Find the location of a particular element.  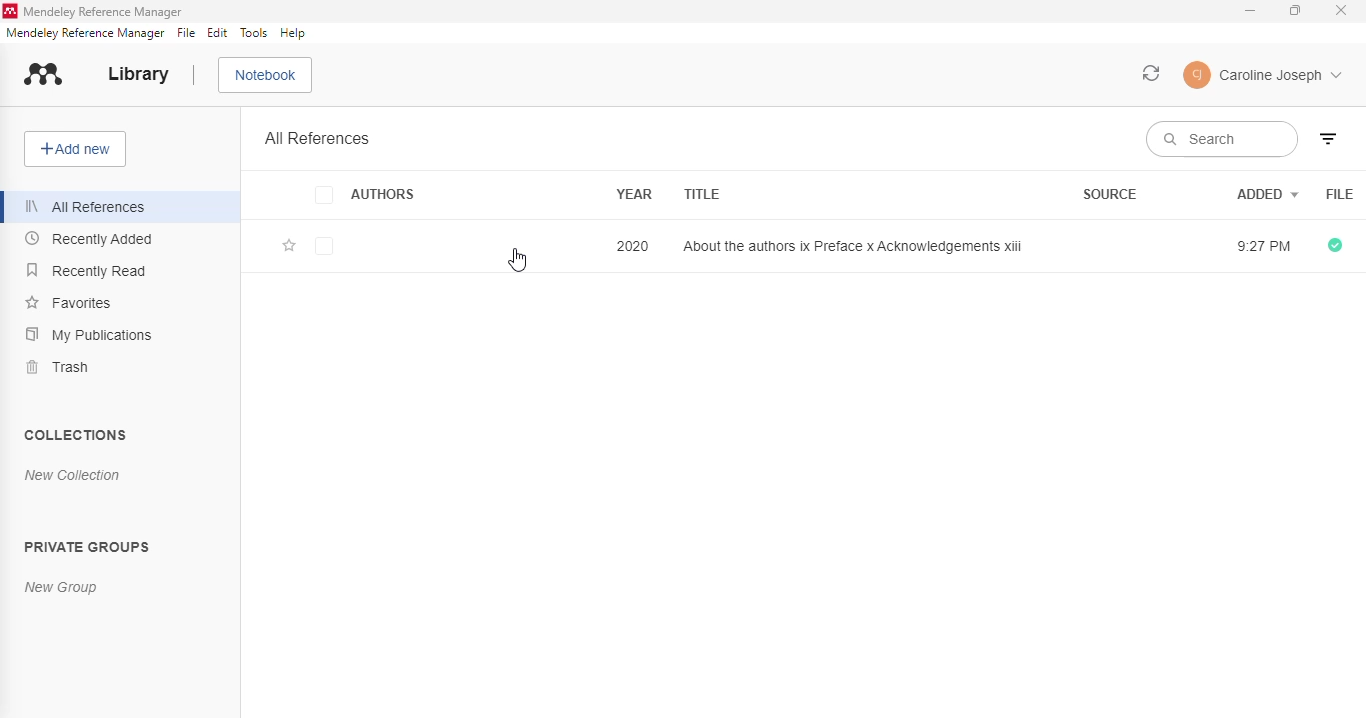

checkbox is located at coordinates (323, 247).